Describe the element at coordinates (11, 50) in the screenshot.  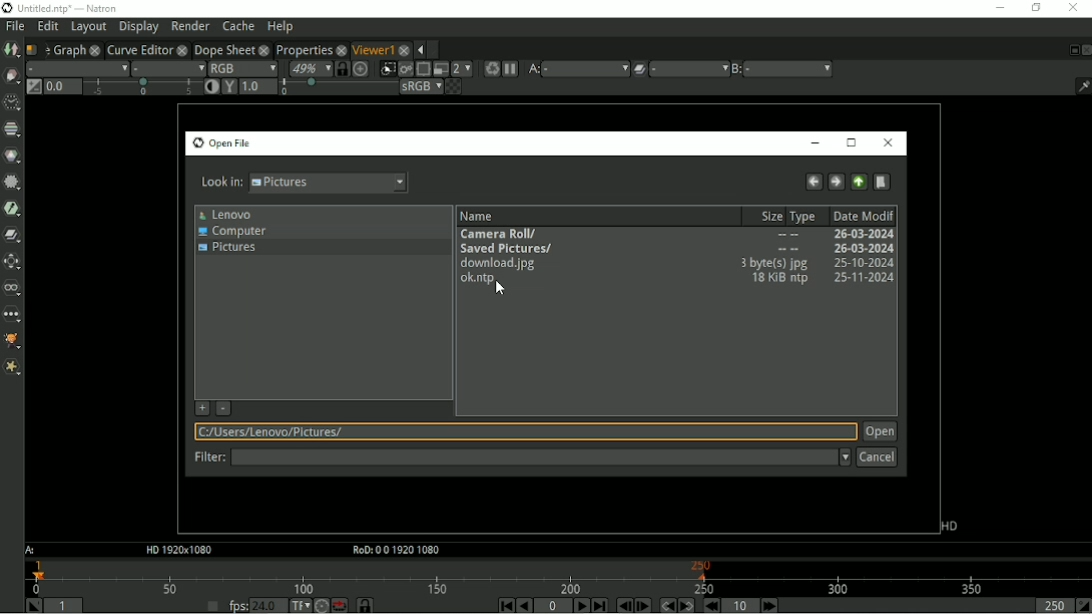
I see `Image` at that location.